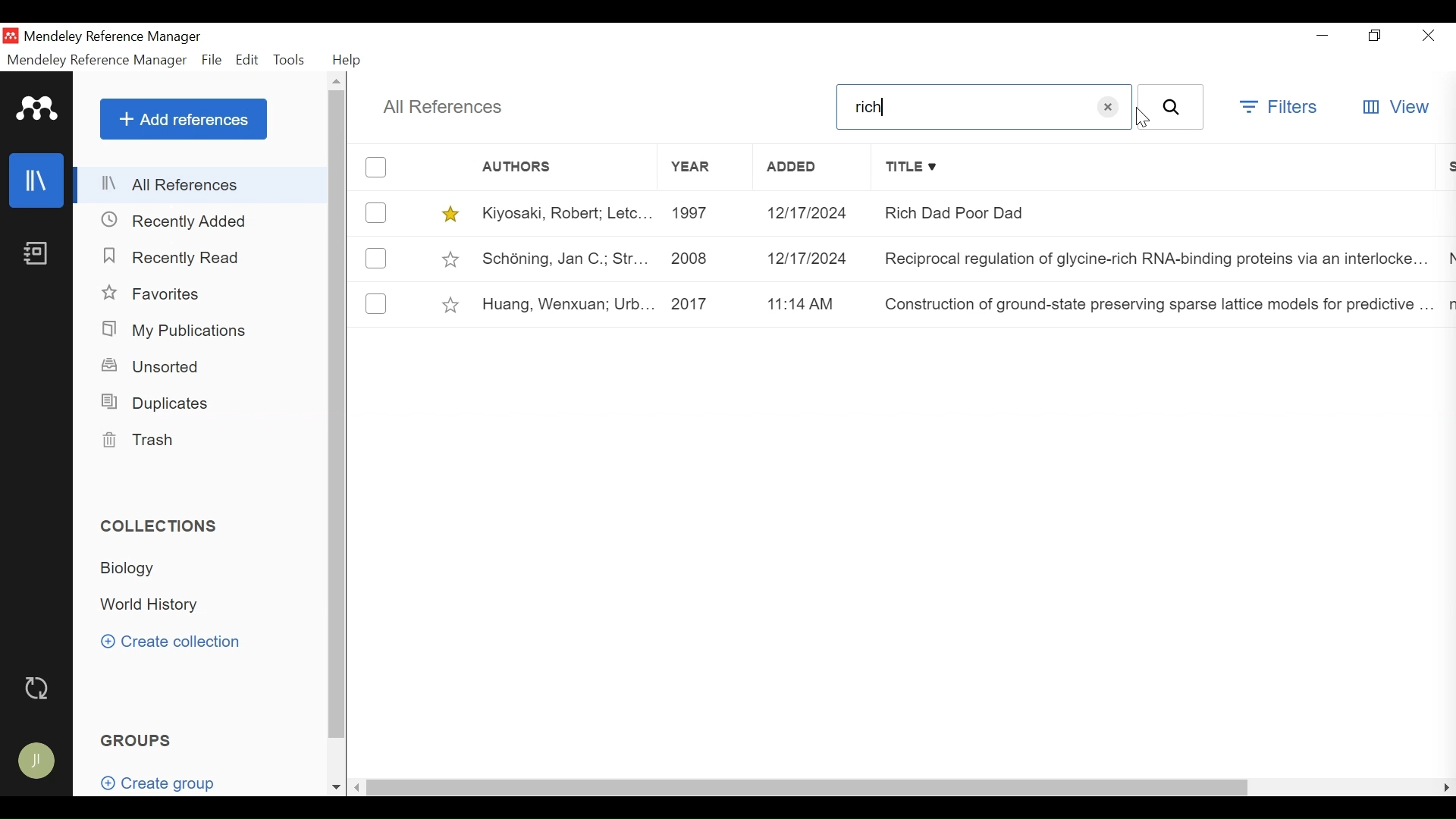 The image size is (1456, 819). Describe the element at coordinates (700, 256) in the screenshot. I see `2008` at that location.